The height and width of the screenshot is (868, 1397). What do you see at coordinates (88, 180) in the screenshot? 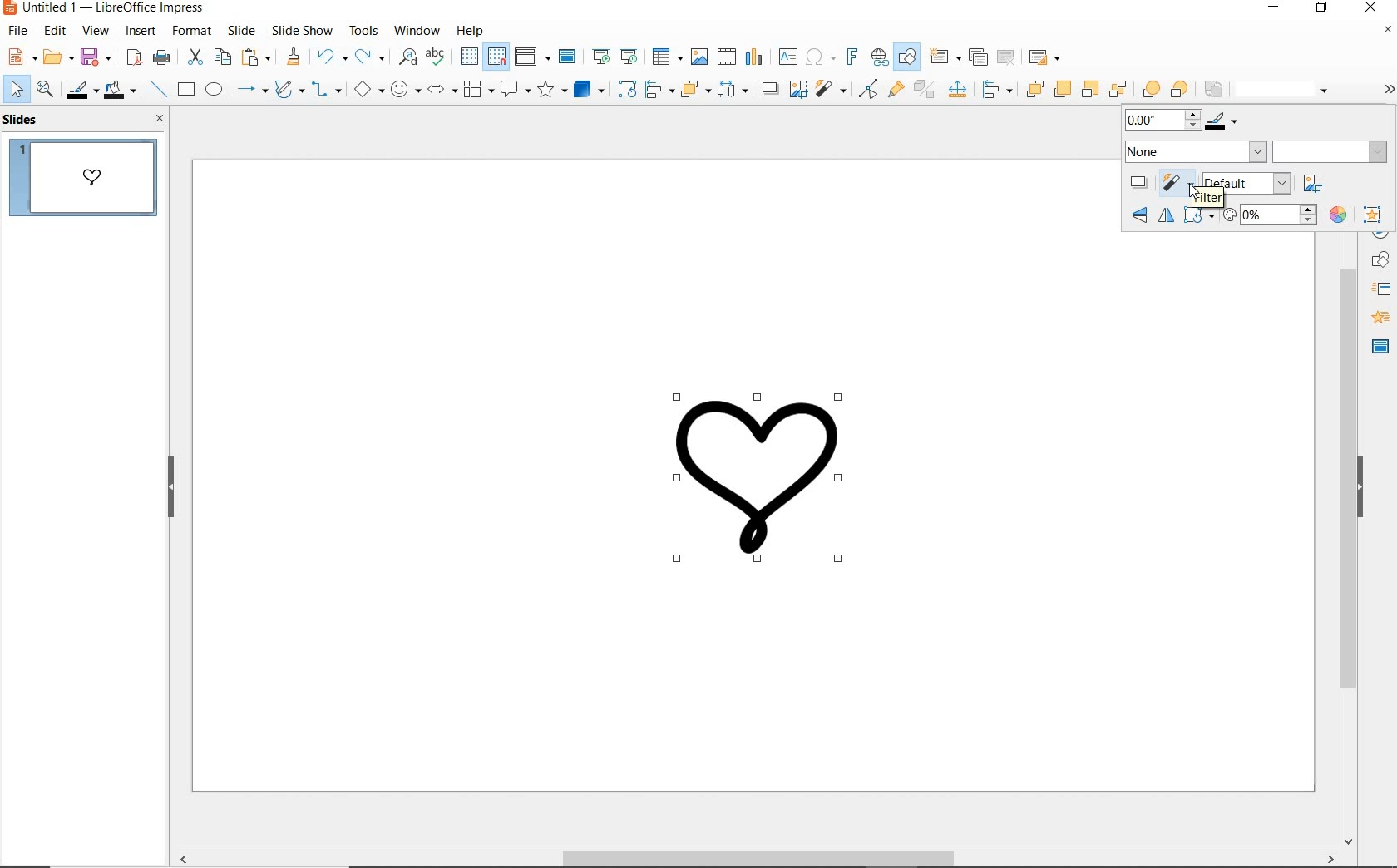
I see `SLIDE 1` at bounding box center [88, 180].